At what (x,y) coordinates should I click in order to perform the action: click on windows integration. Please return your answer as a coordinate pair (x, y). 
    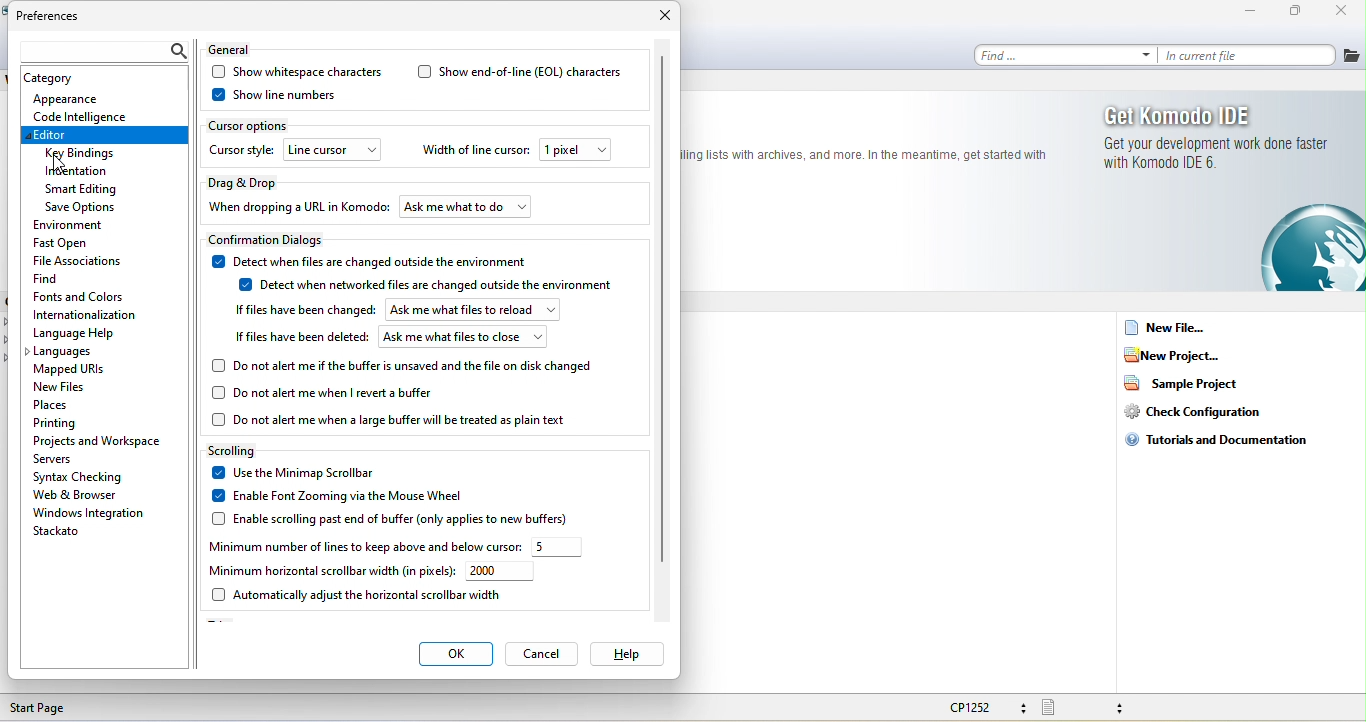
    Looking at the image, I should click on (88, 513).